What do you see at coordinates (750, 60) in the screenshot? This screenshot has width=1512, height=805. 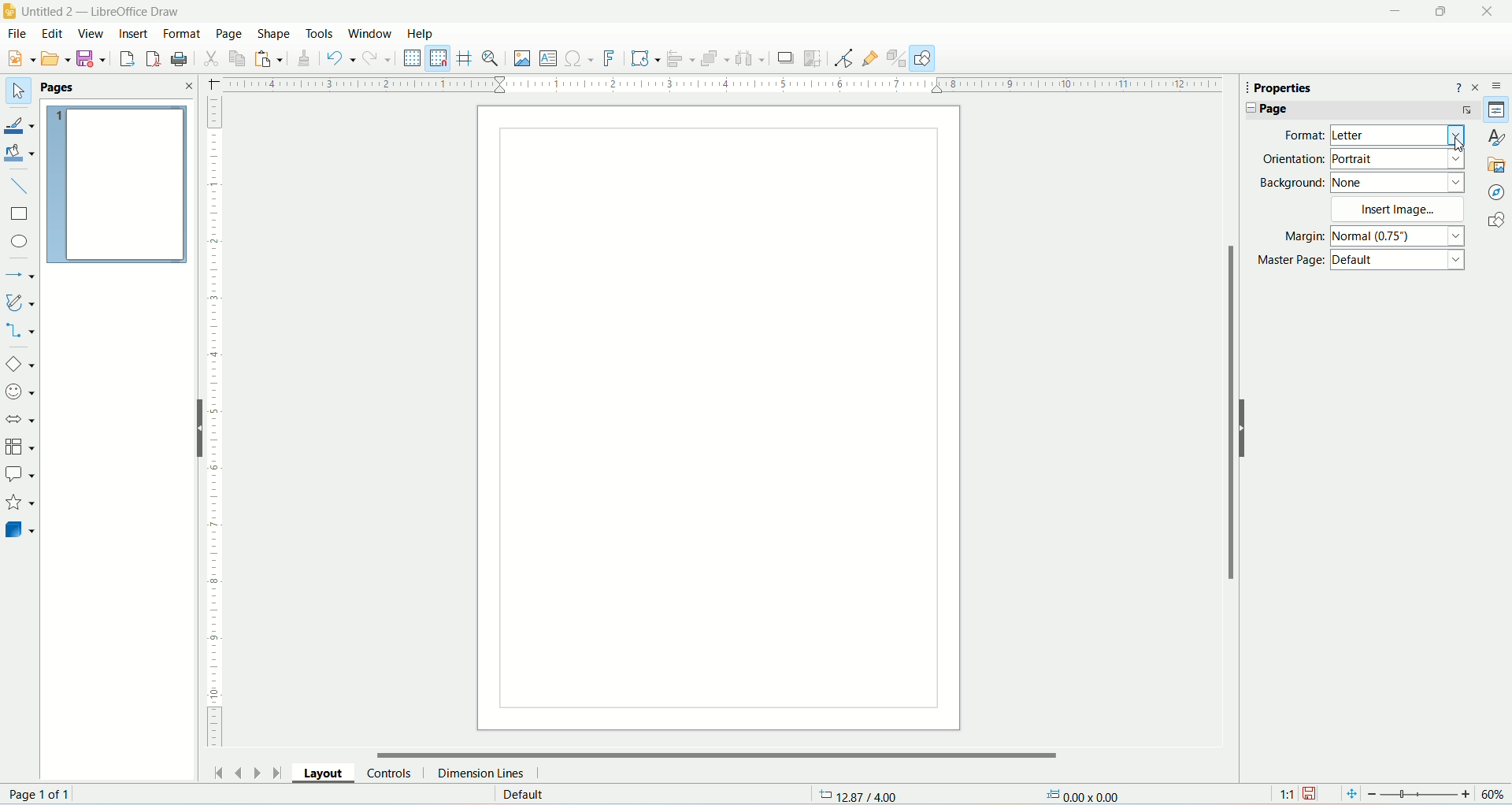 I see `select atleast three objects to distribute` at bounding box center [750, 60].